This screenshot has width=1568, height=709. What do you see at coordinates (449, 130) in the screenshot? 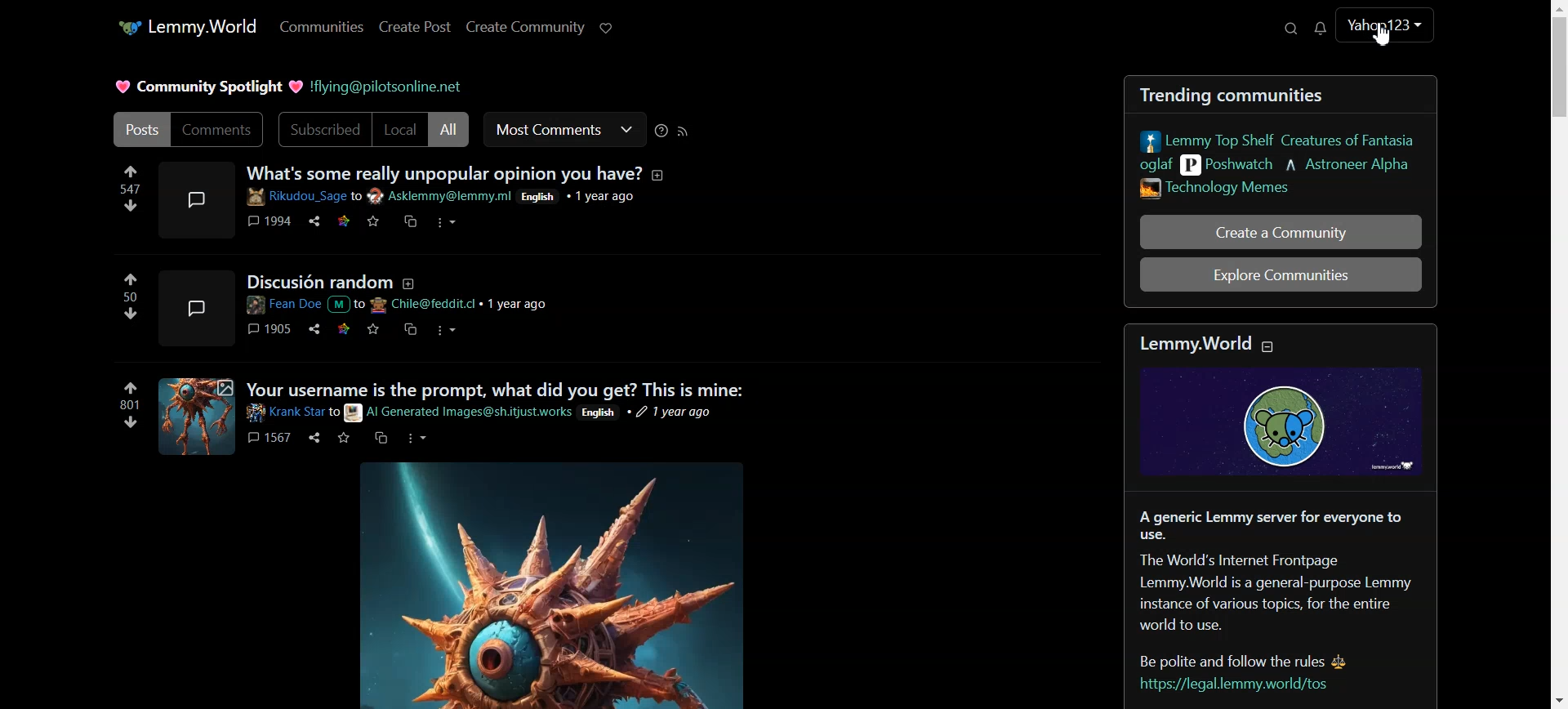
I see `All` at bounding box center [449, 130].